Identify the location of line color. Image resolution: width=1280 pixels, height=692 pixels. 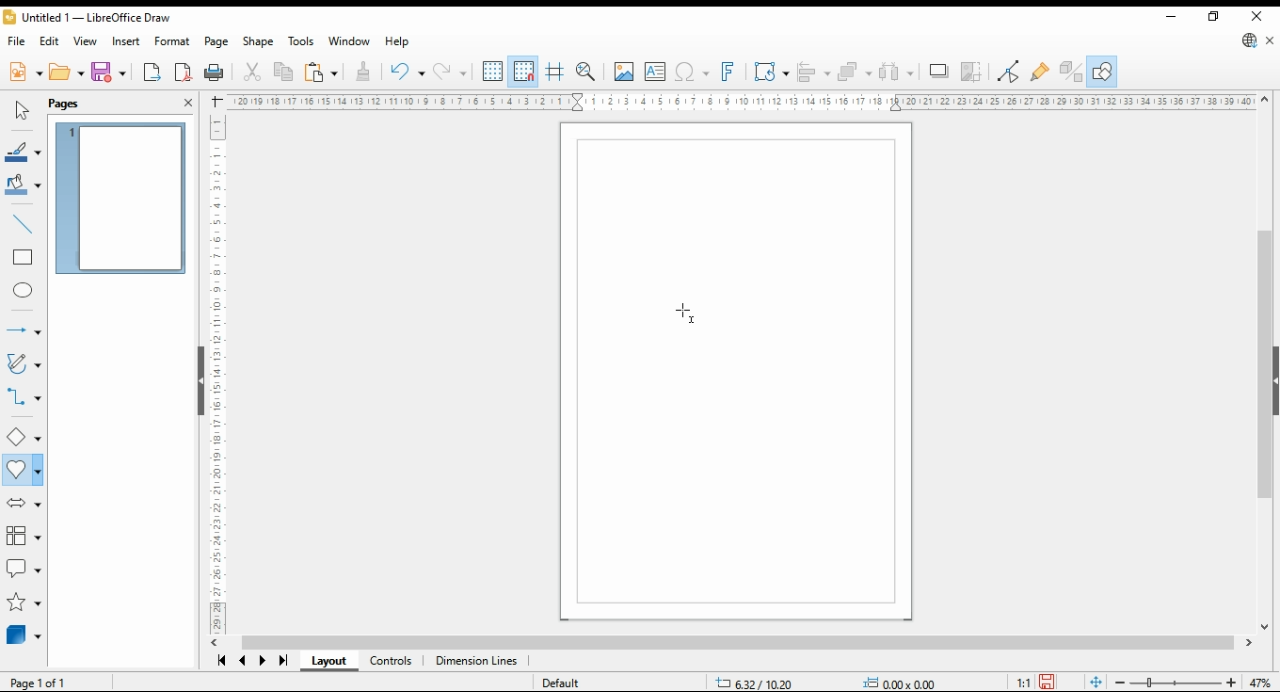
(25, 150).